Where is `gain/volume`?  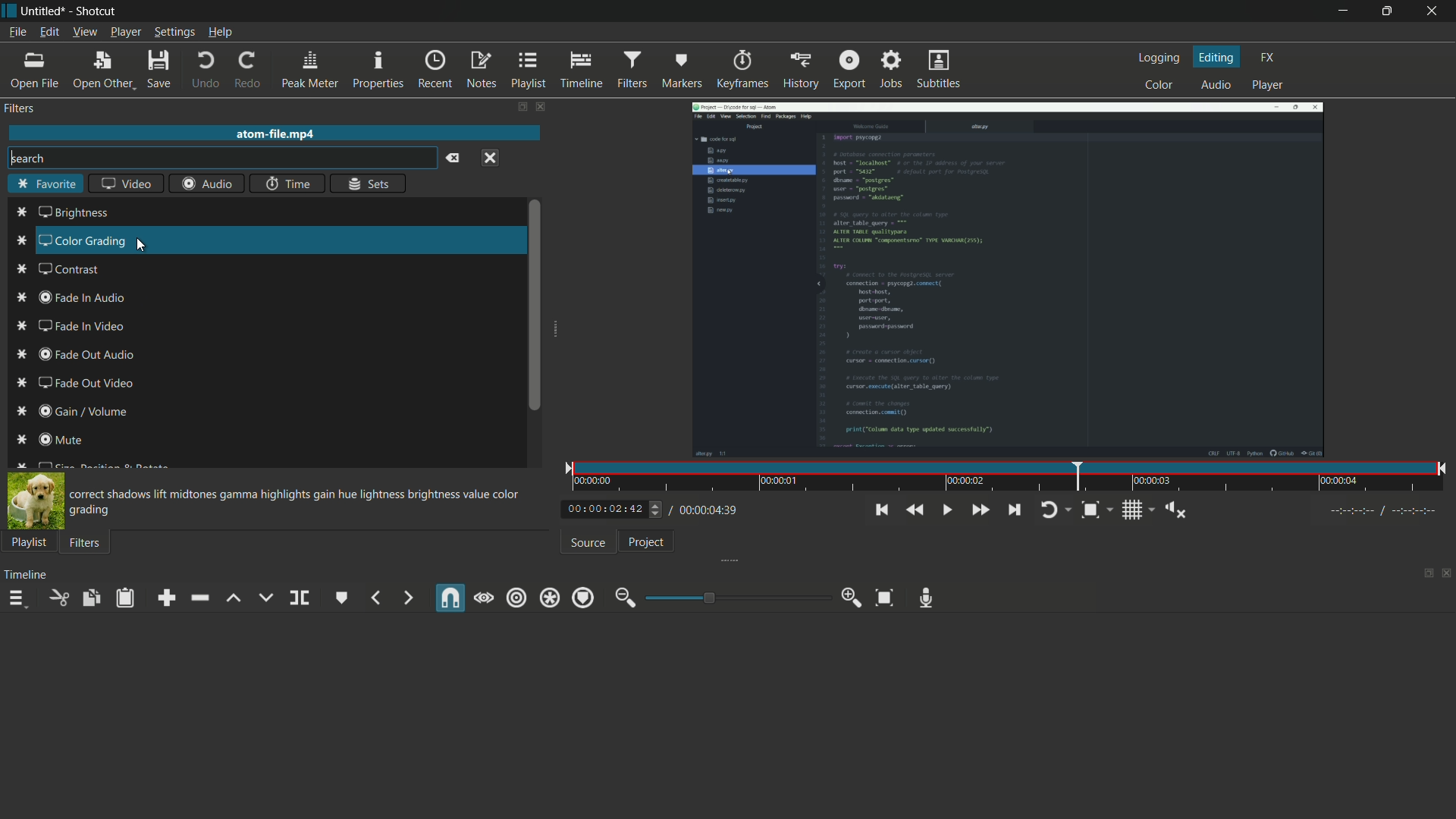 gain/volume is located at coordinates (85, 413).